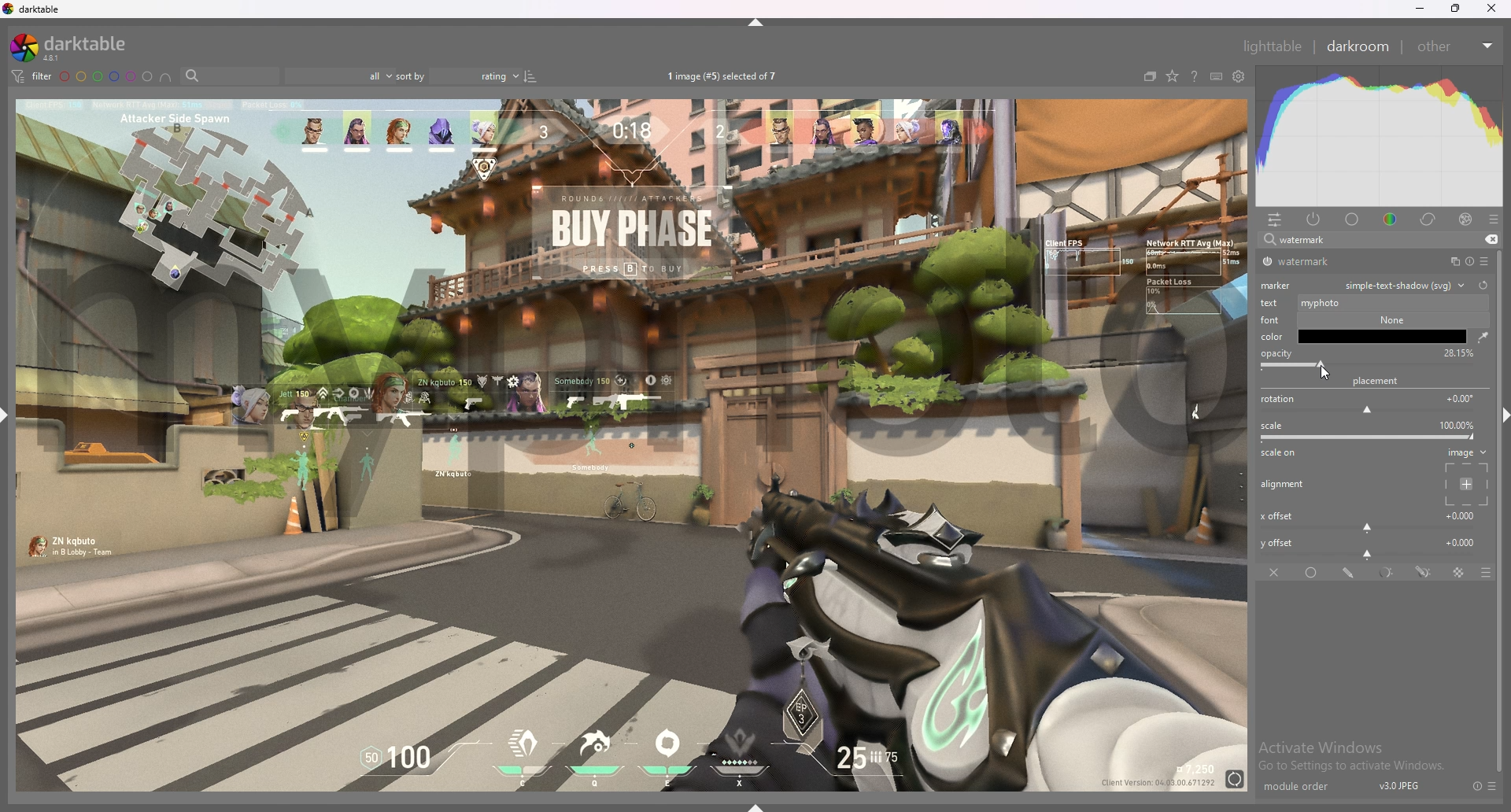 The height and width of the screenshot is (812, 1511). Describe the element at coordinates (1359, 241) in the screenshot. I see `search module` at that location.